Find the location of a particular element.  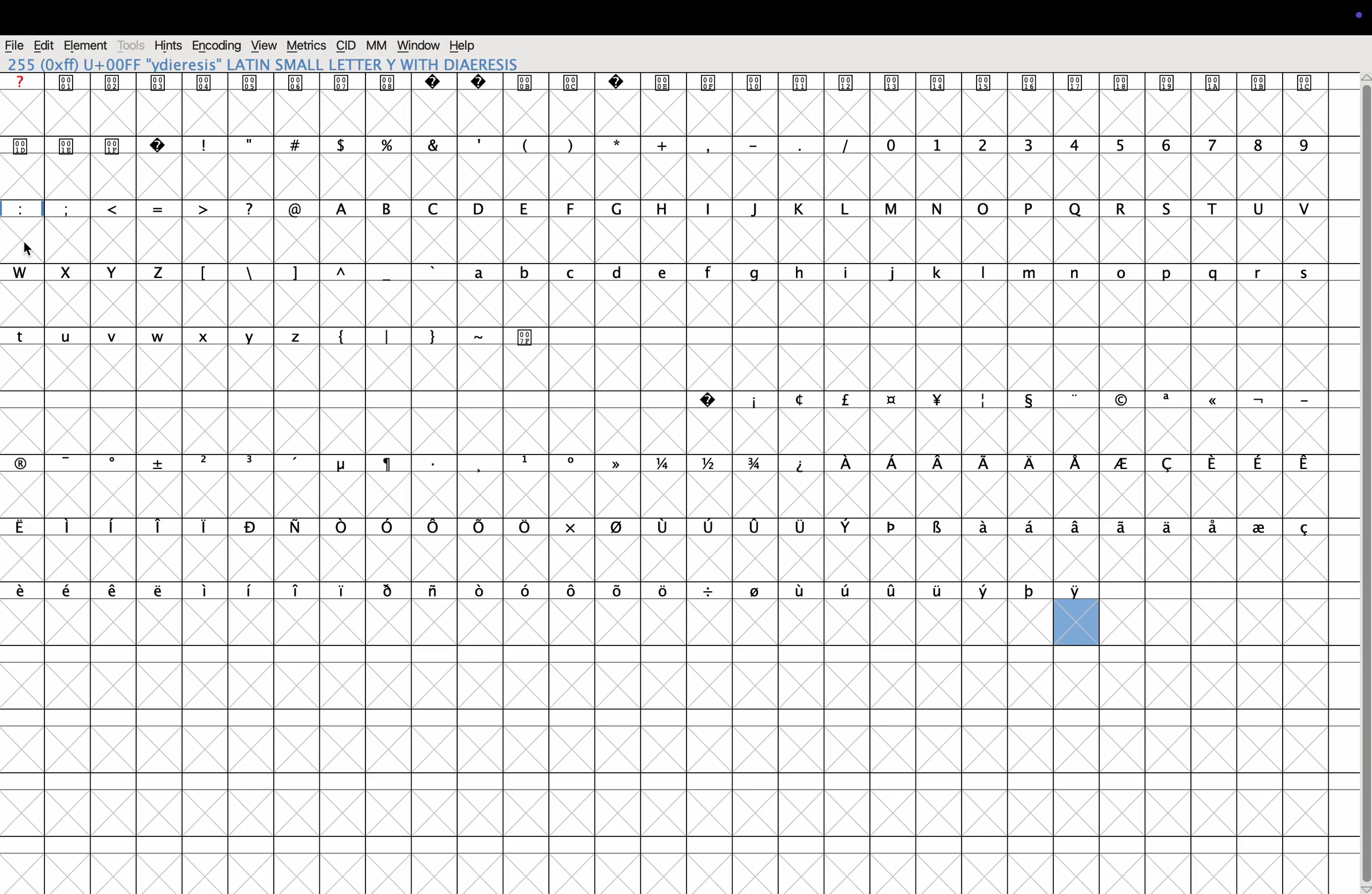

? is located at coordinates (251, 231).